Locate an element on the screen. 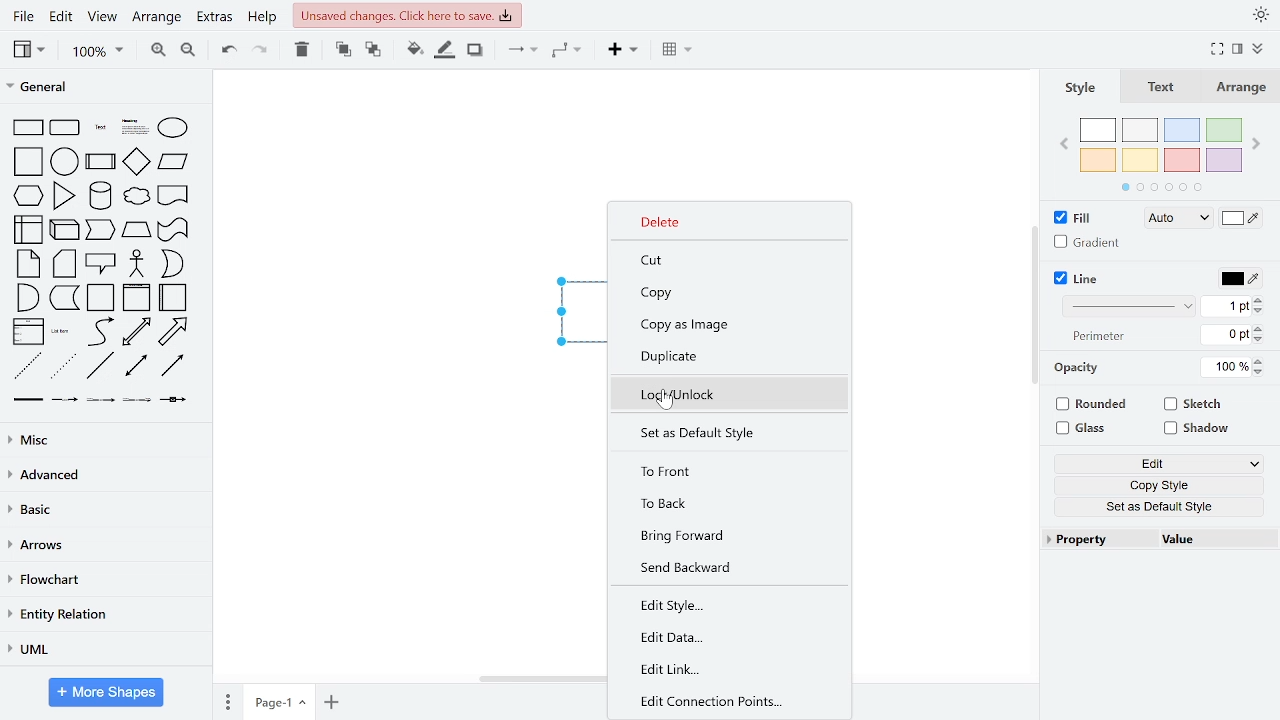 This screenshot has height=720, width=1280. note is located at coordinates (28, 264).